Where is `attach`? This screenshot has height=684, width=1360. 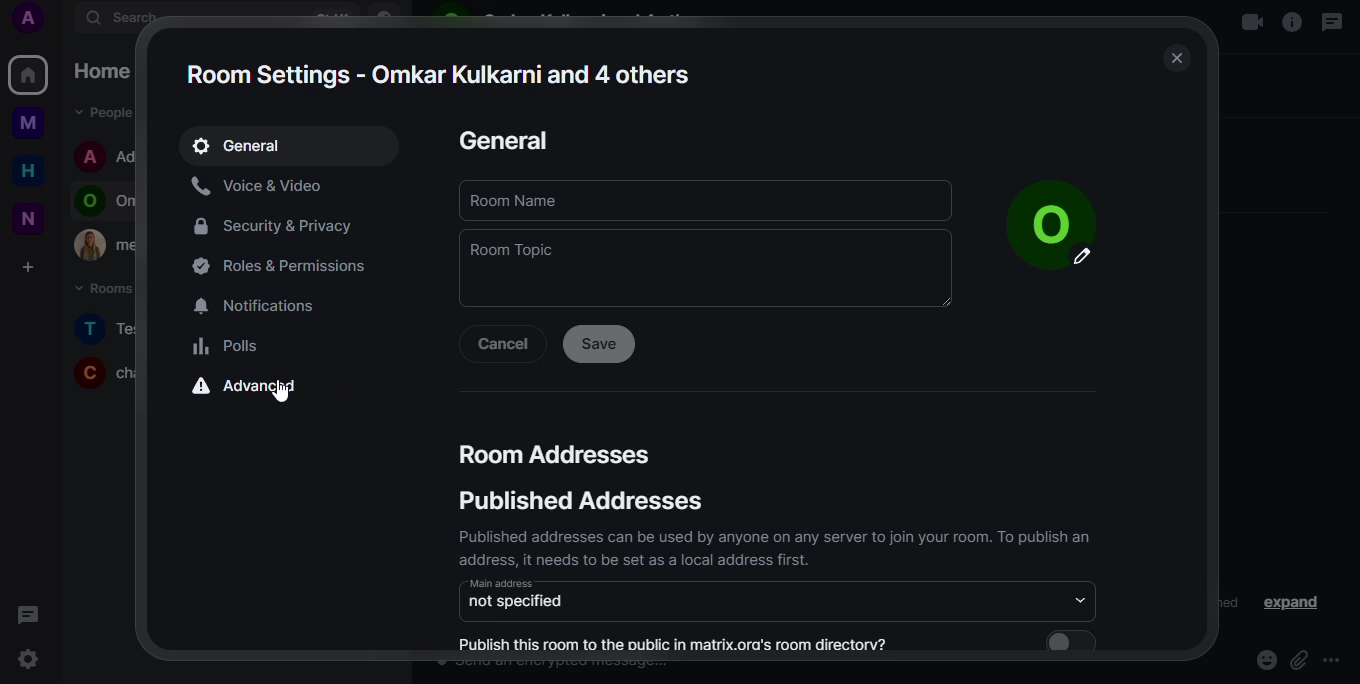
attach is located at coordinates (1298, 661).